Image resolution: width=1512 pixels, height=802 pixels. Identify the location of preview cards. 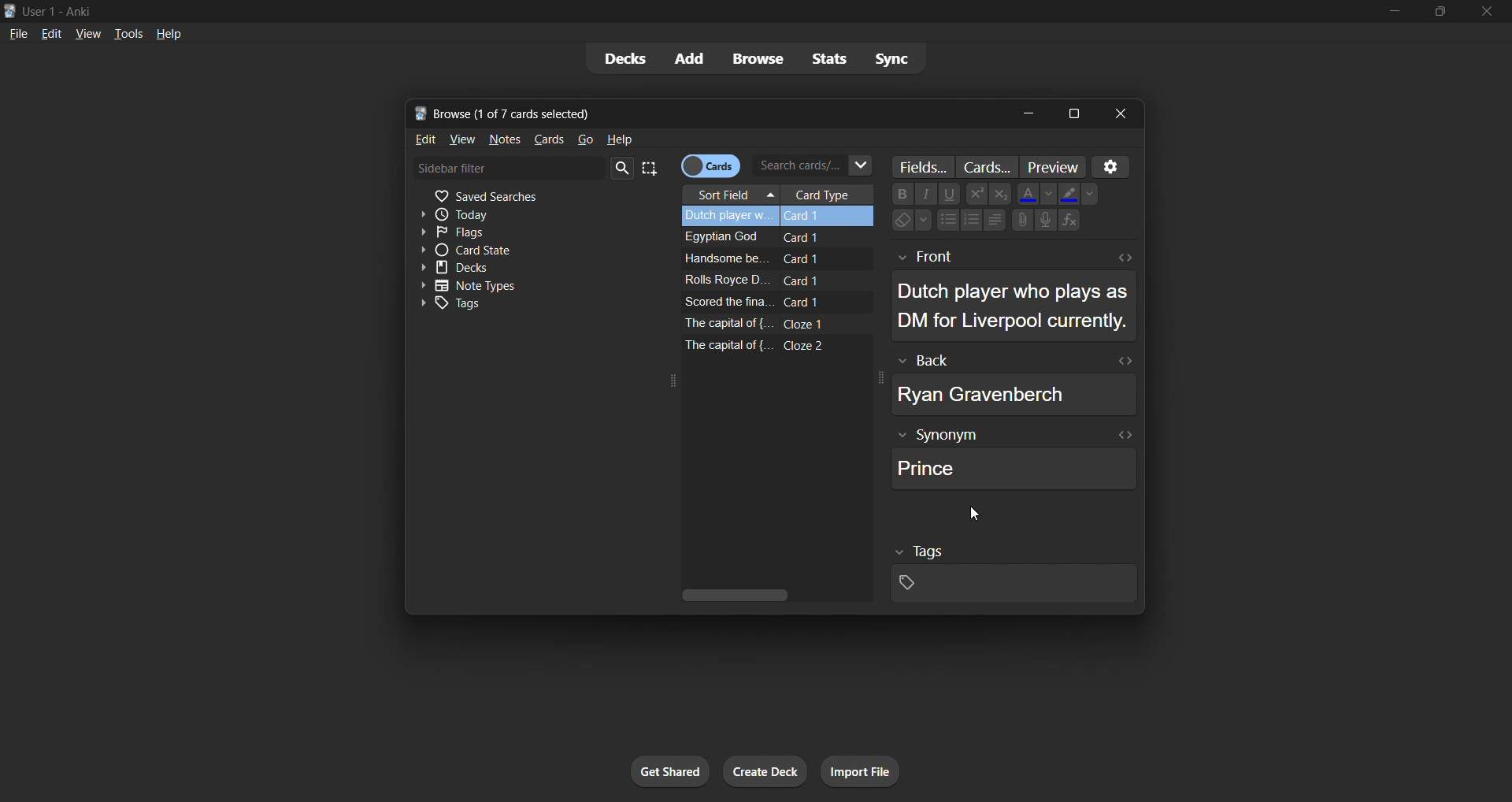
(1051, 167).